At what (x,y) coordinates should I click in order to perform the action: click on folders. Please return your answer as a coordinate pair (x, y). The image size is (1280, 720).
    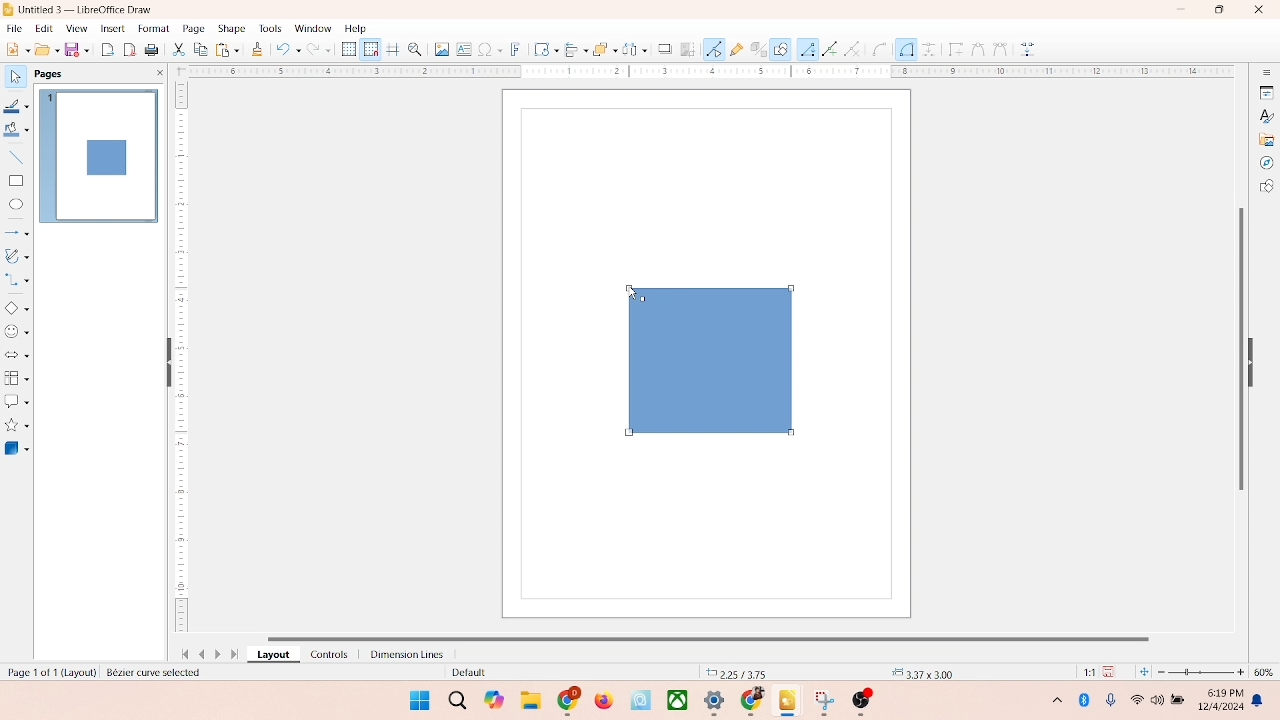
    Looking at the image, I should click on (530, 698).